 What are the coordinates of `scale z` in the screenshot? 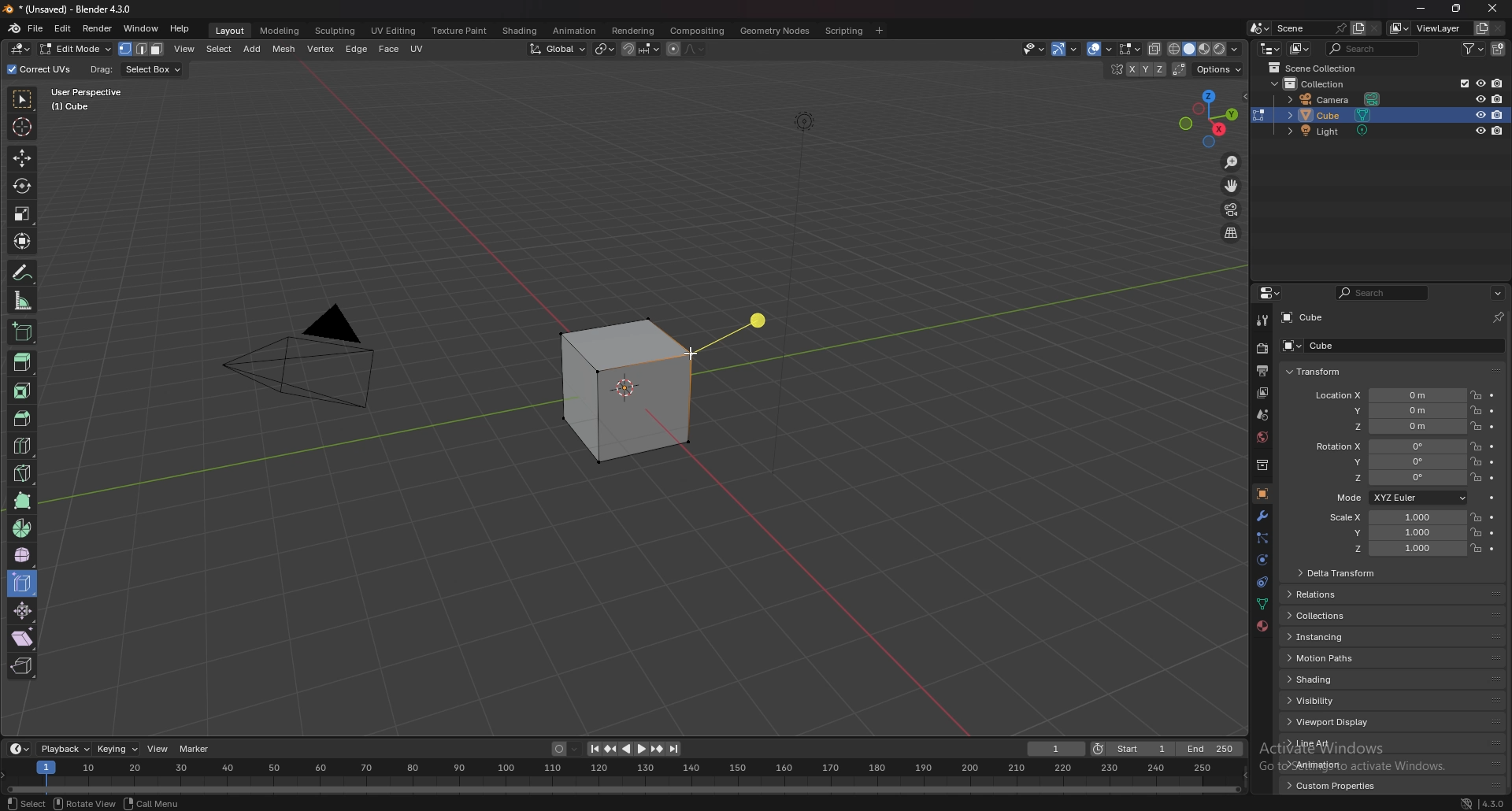 It's located at (1399, 550).